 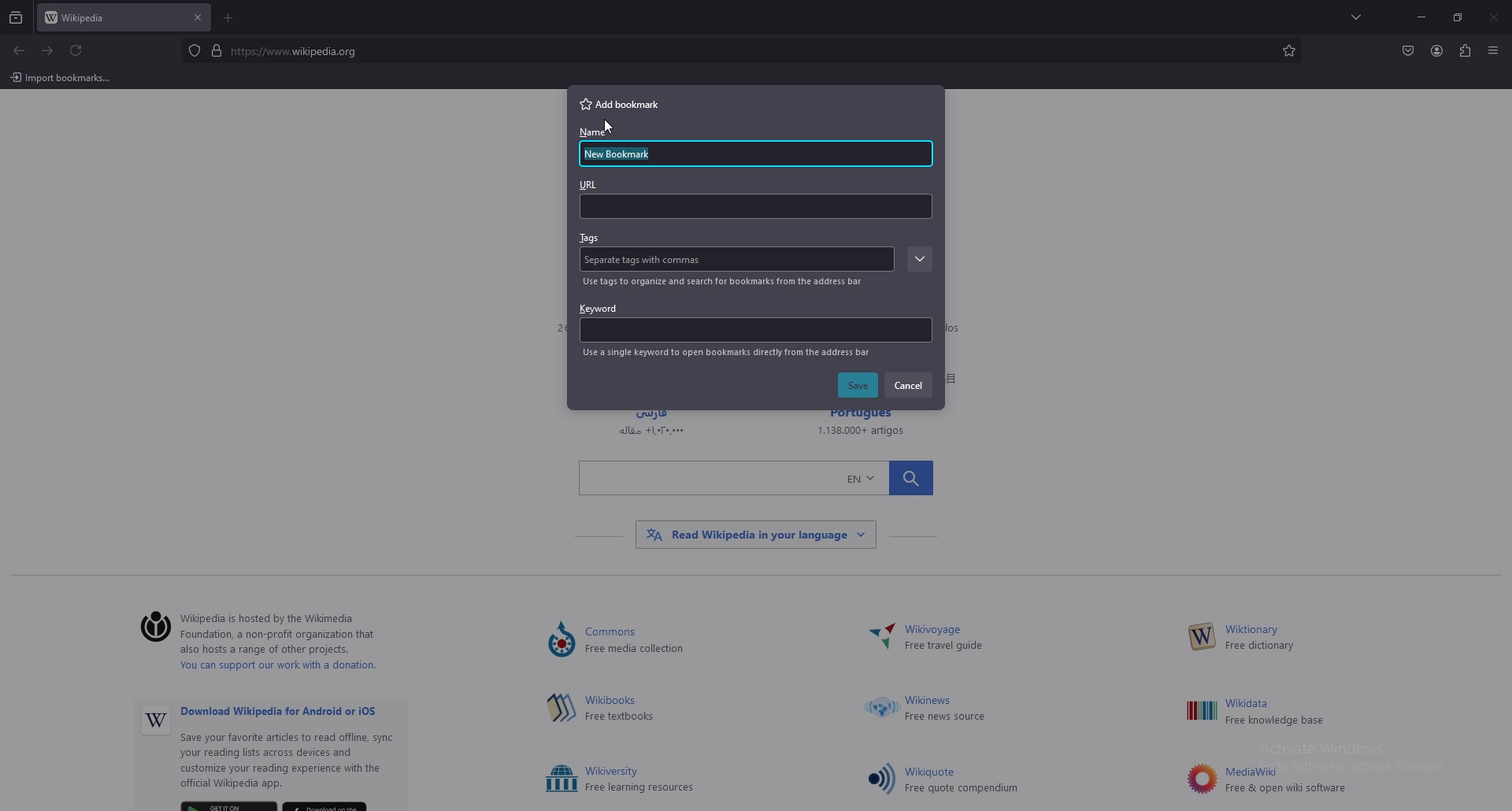 What do you see at coordinates (1200, 711) in the screenshot?
I see `` at bounding box center [1200, 711].